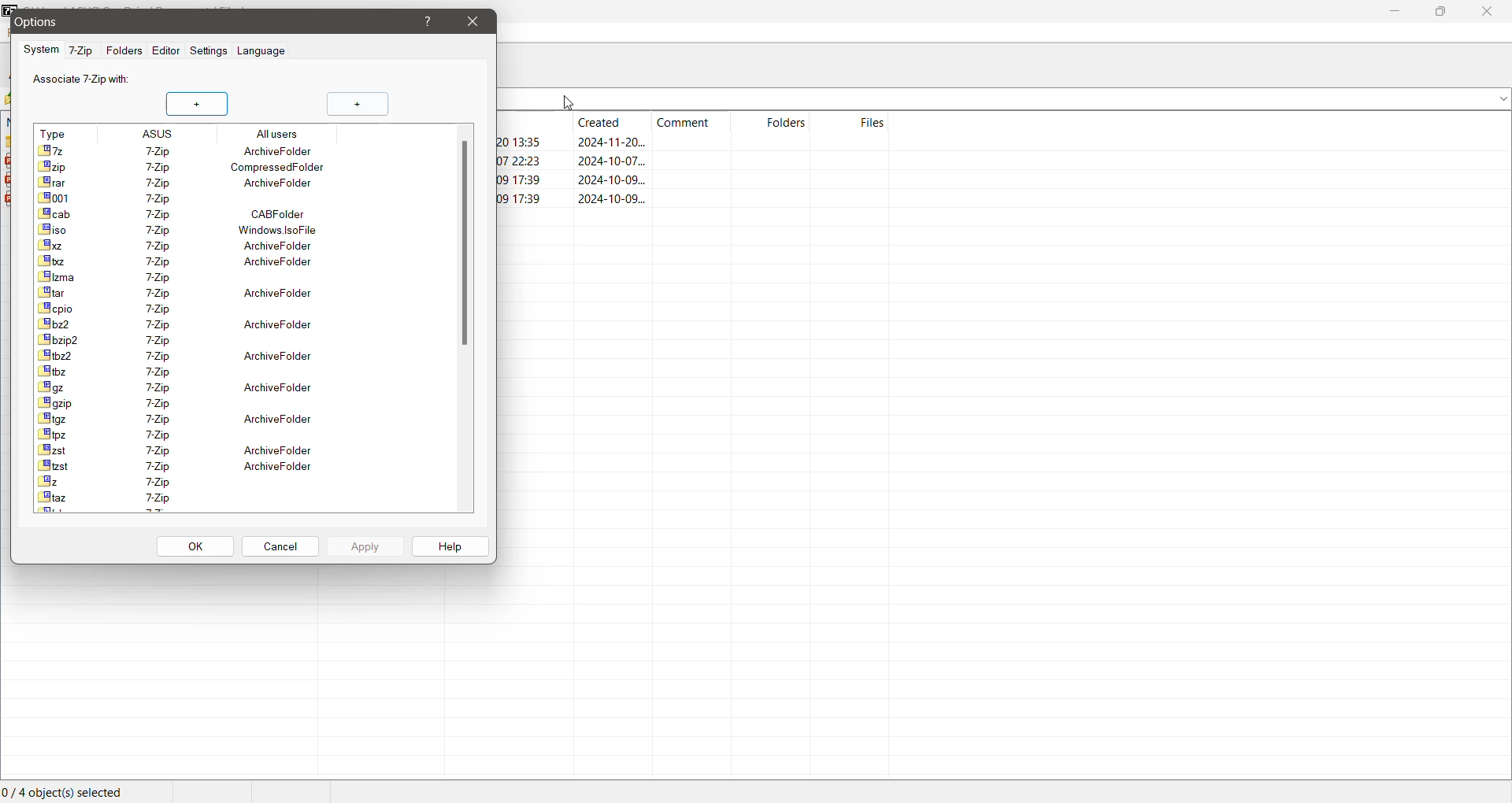 The width and height of the screenshot is (1512, 803). What do you see at coordinates (177, 450) in the screenshot?
I see `Archived Folder` at bounding box center [177, 450].